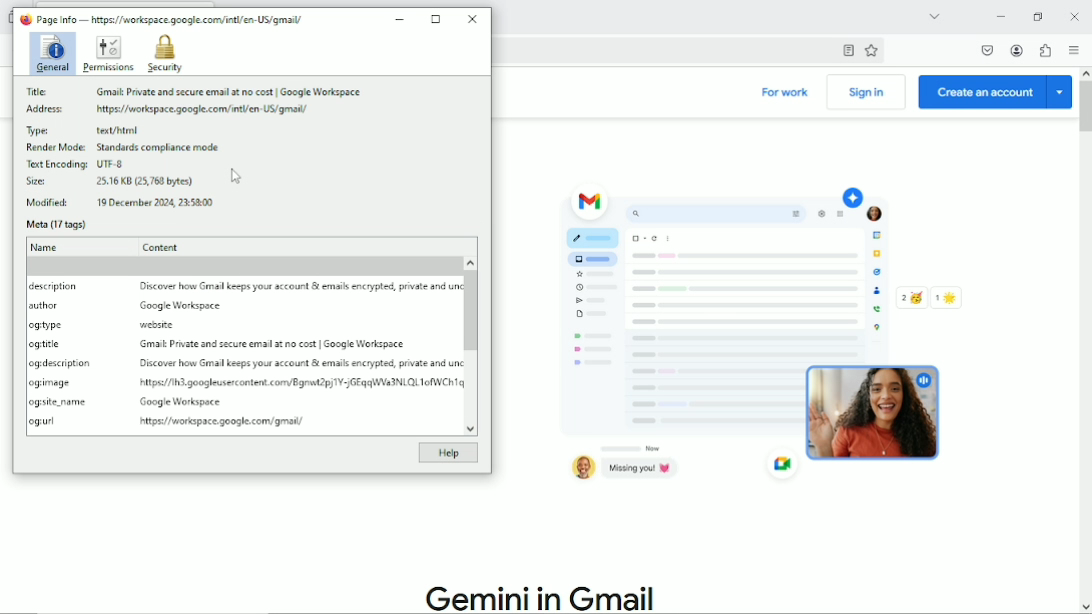 This screenshot has height=614, width=1092. What do you see at coordinates (274, 345) in the screenshot?
I see `Gmail private and secure email at no cost` at bounding box center [274, 345].